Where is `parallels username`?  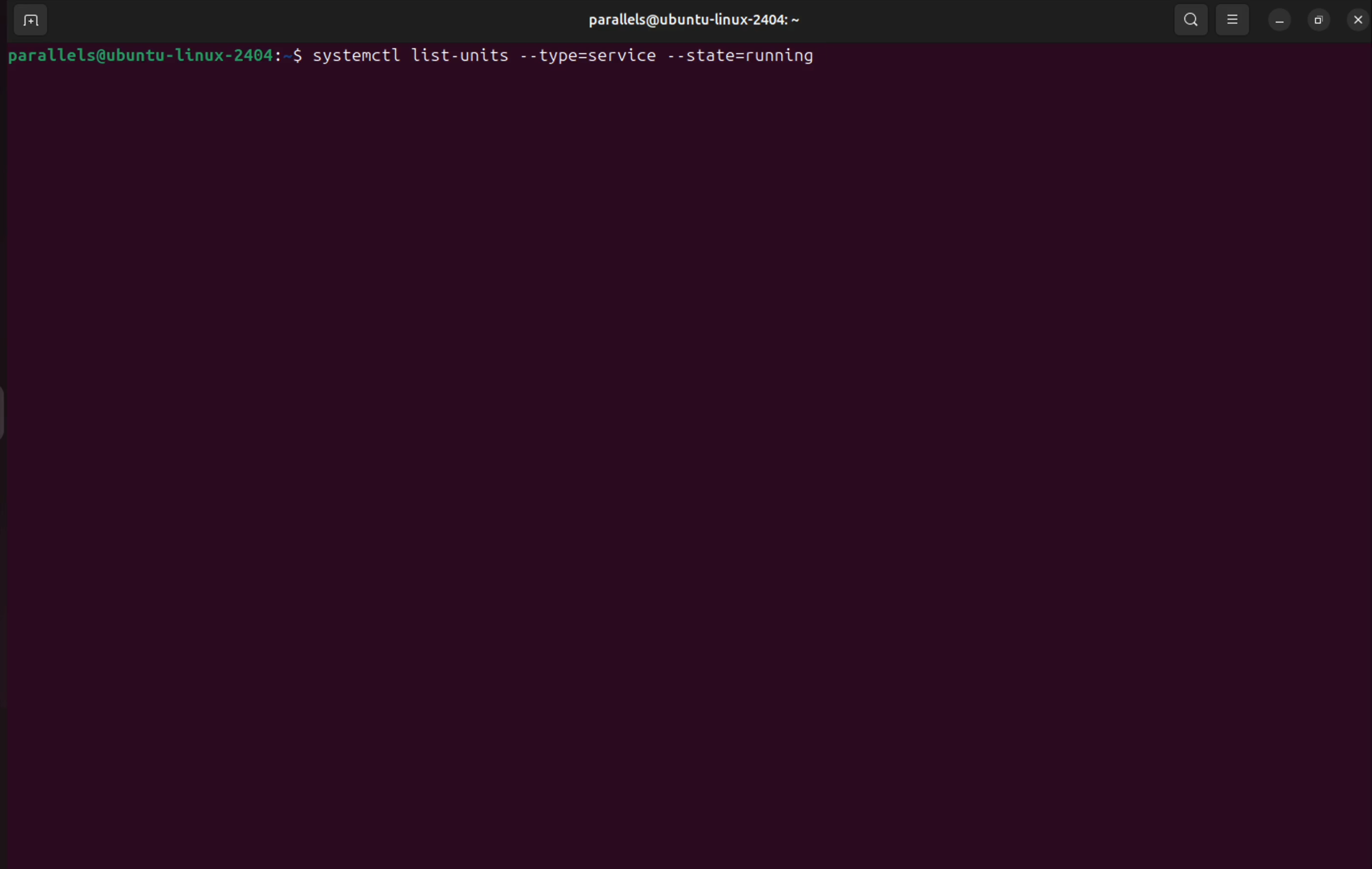
parallels username is located at coordinates (687, 22).